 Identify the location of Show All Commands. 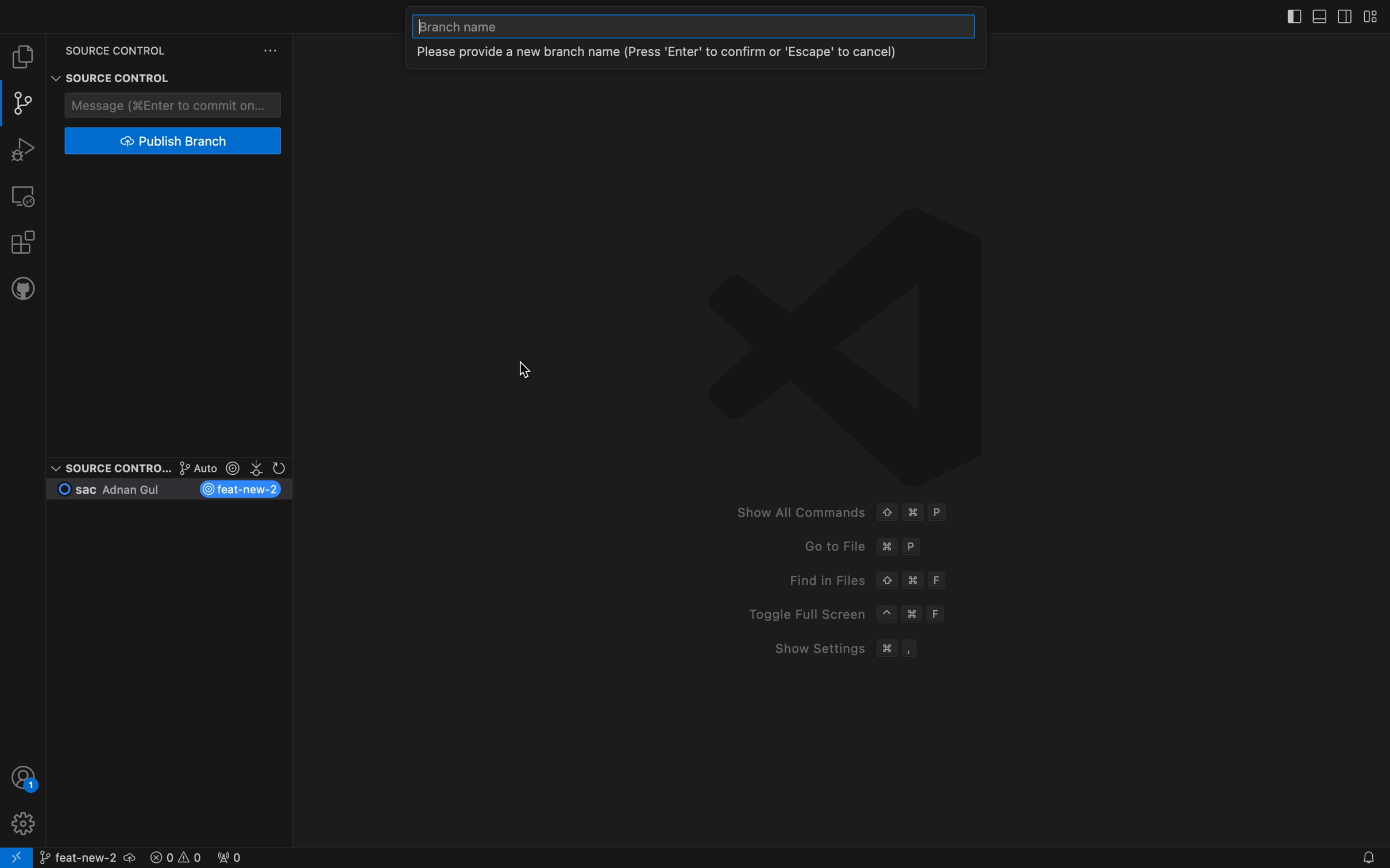
(796, 513).